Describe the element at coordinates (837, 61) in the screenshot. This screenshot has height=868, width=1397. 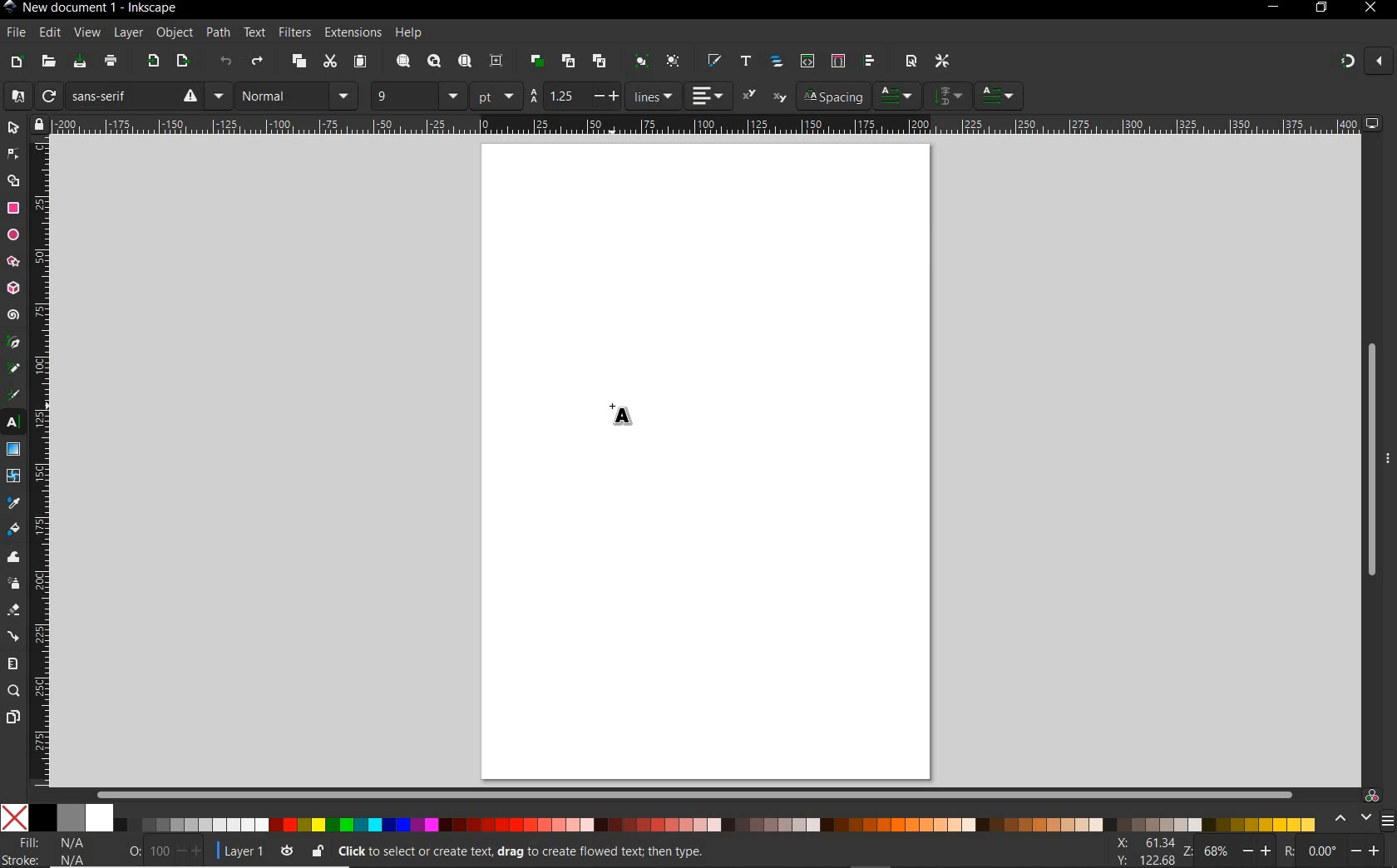
I see `open selectors` at that location.